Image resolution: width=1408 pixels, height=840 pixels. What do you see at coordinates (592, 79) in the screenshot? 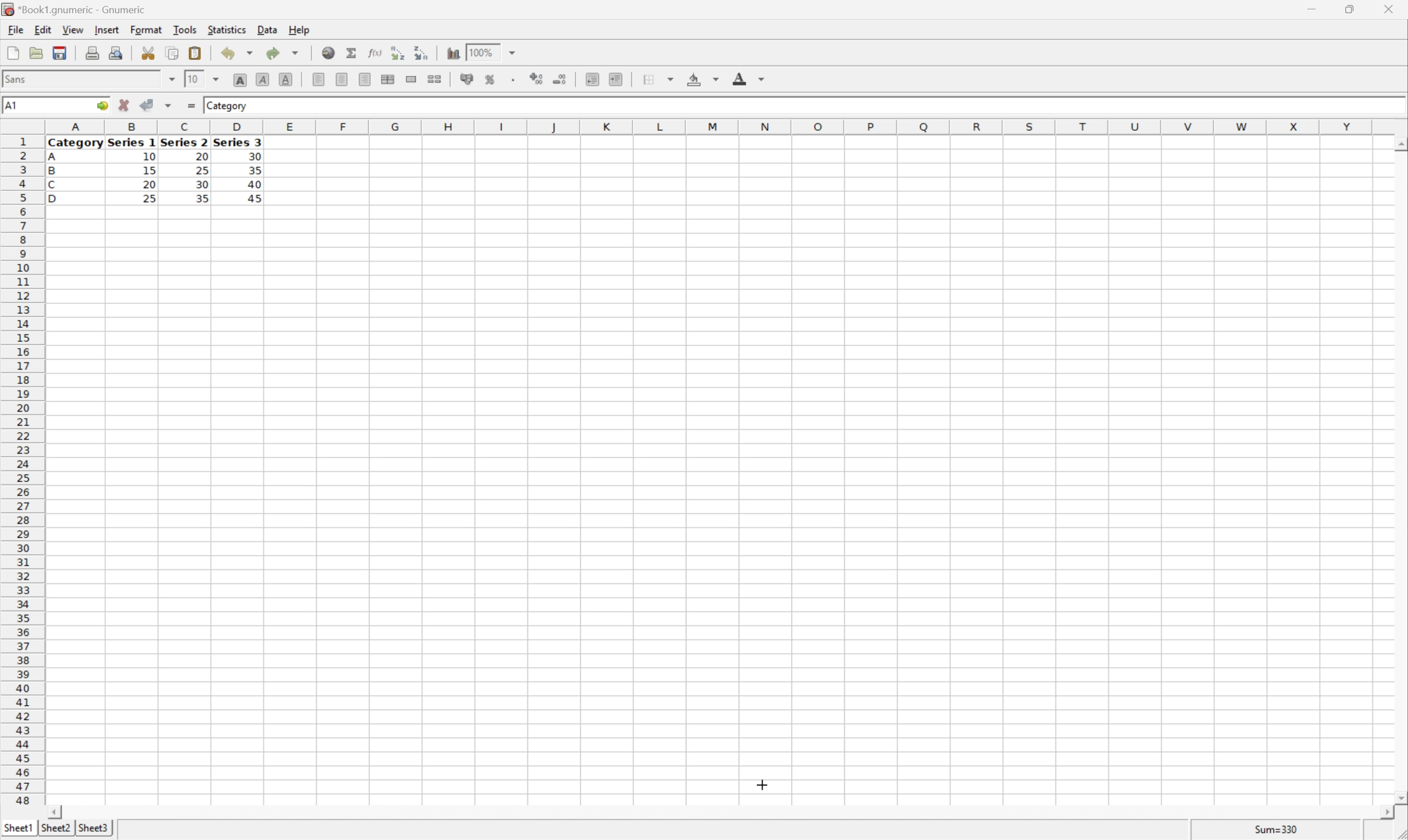
I see `Decrease indent, and align the contents to the left` at bounding box center [592, 79].